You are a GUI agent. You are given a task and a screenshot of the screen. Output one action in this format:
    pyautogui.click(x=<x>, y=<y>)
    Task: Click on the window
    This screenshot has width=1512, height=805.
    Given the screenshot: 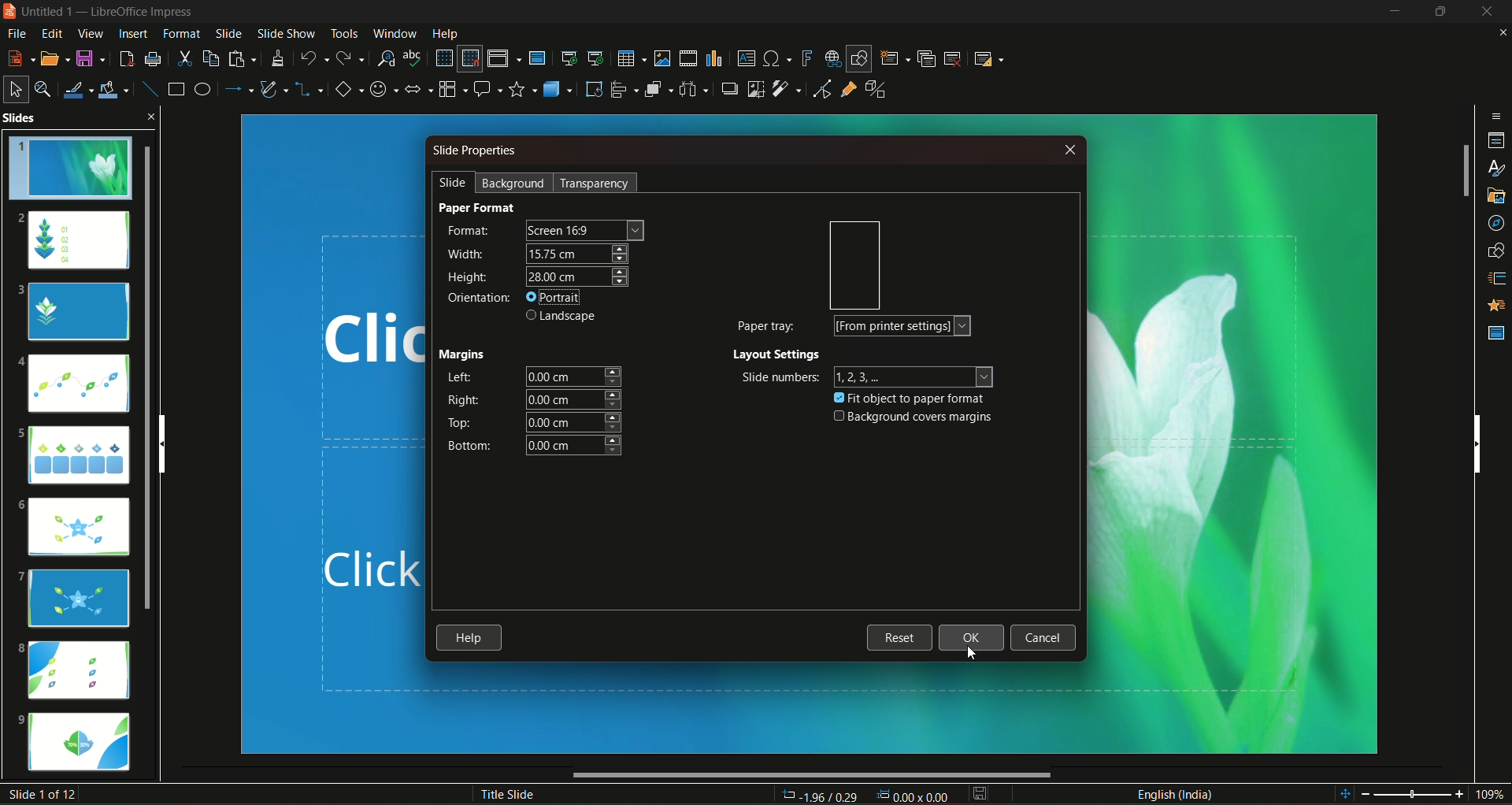 What is the action you would take?
    pyautogui.click(x=396, y=32)
    